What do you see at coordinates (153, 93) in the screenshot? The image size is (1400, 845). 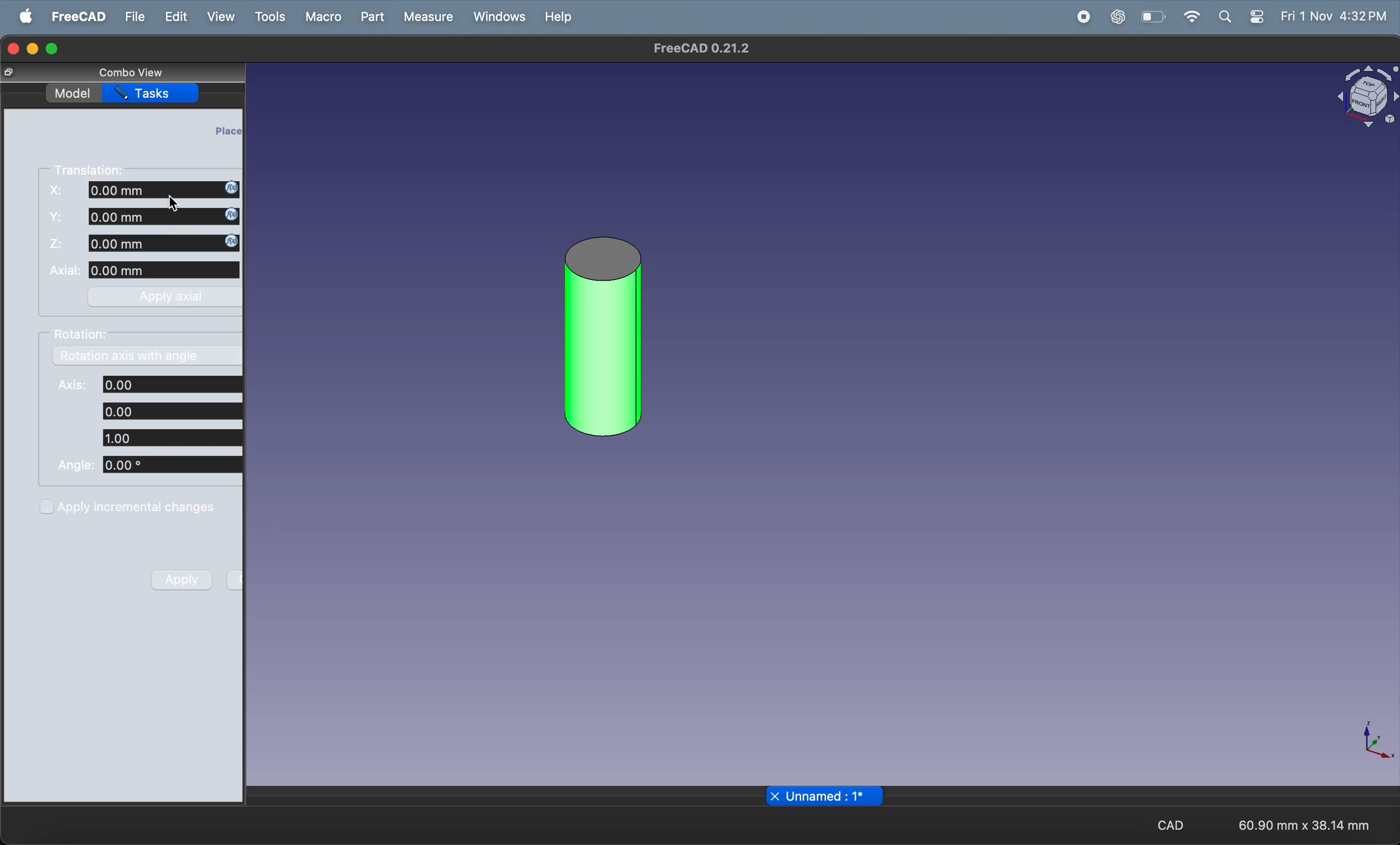 I see `tasks` at bounding box center [153, 93].